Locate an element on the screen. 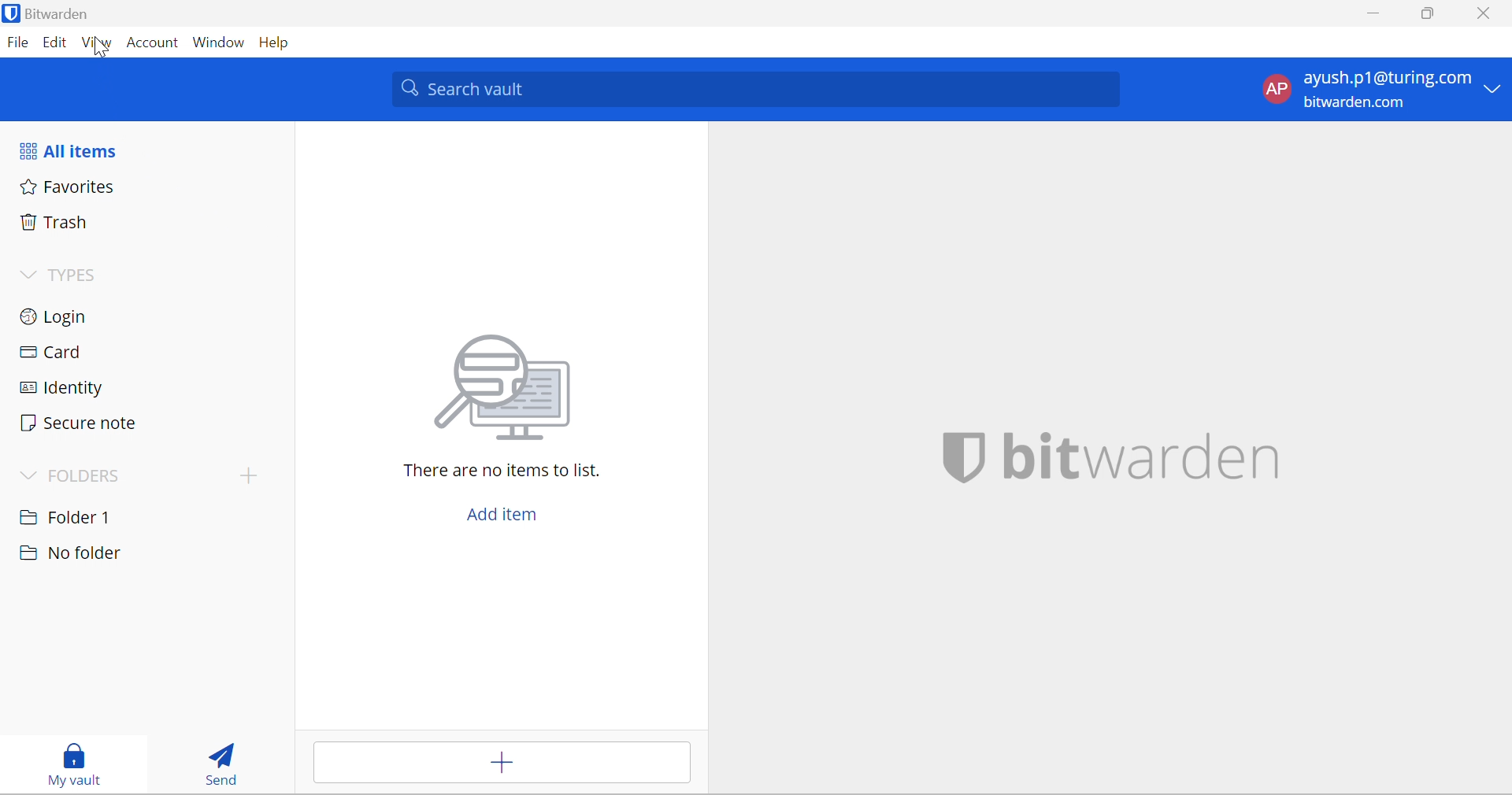 The image size is (1512, 795). create folder is located at coordinates (244, 479).